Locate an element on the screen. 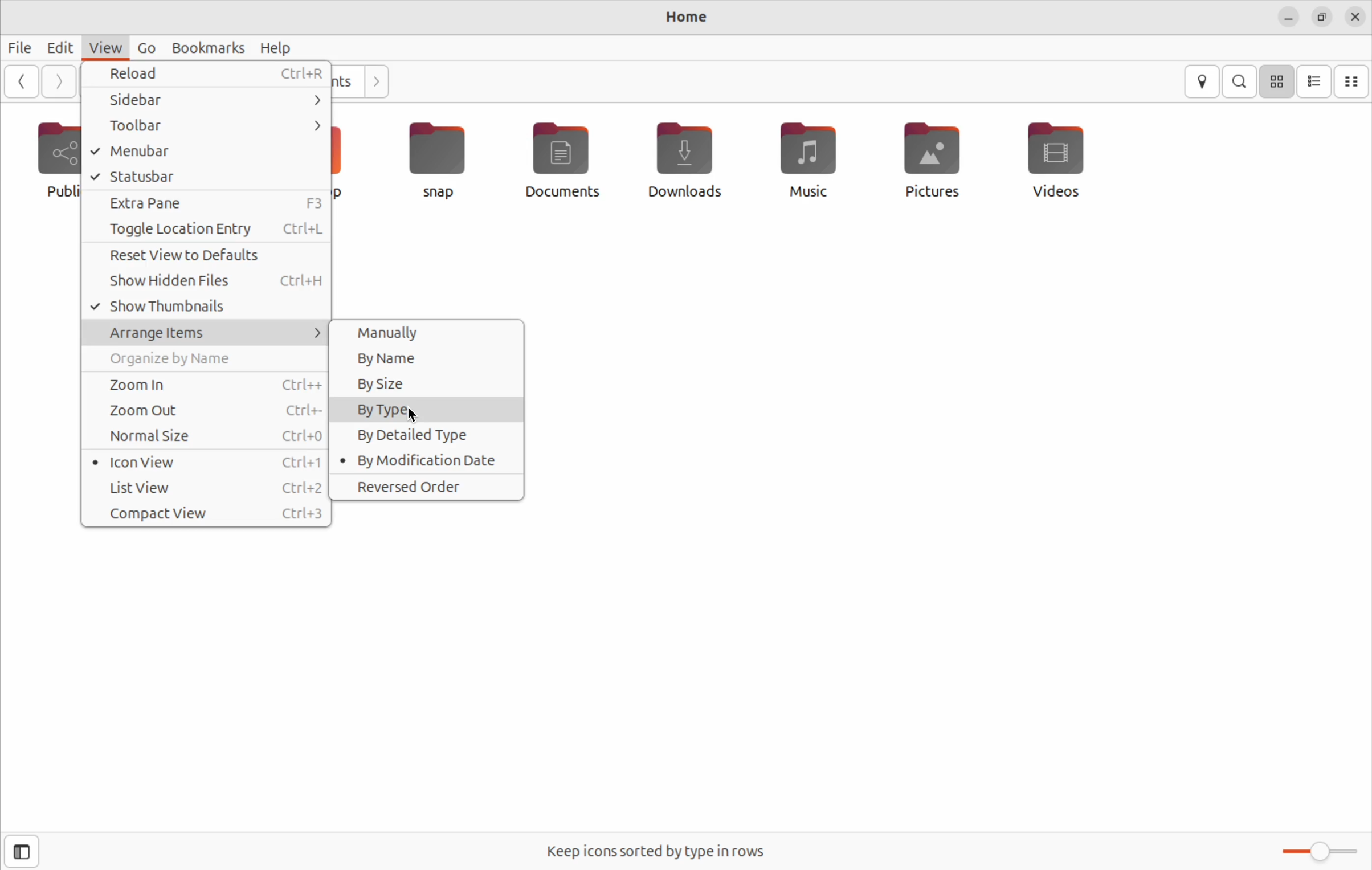 The height and width of the screenshot is (870, 1372). orgainze names is located at coordinates (205, 360).